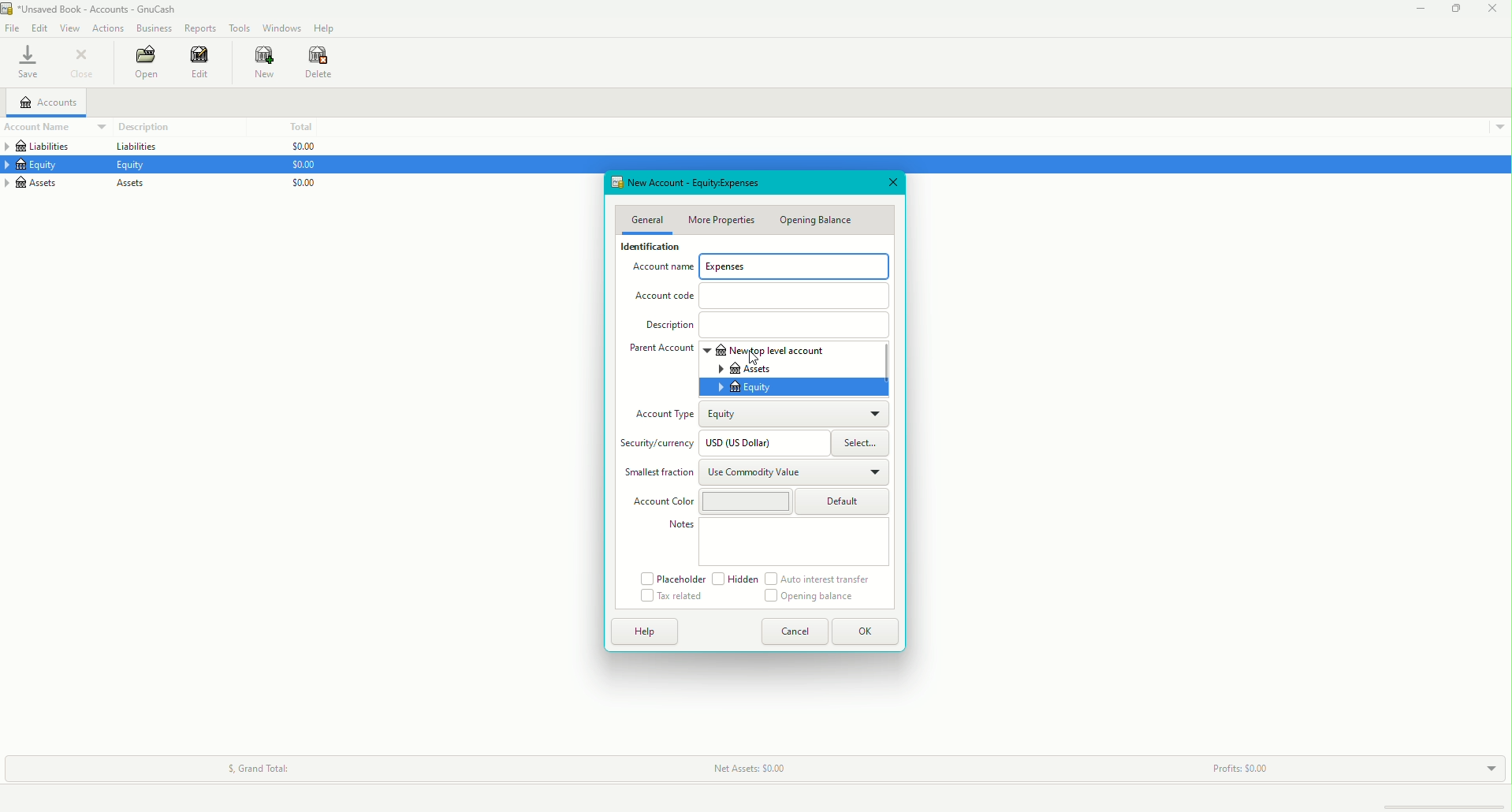  I want to click on Grand Total, so click(257, 765).